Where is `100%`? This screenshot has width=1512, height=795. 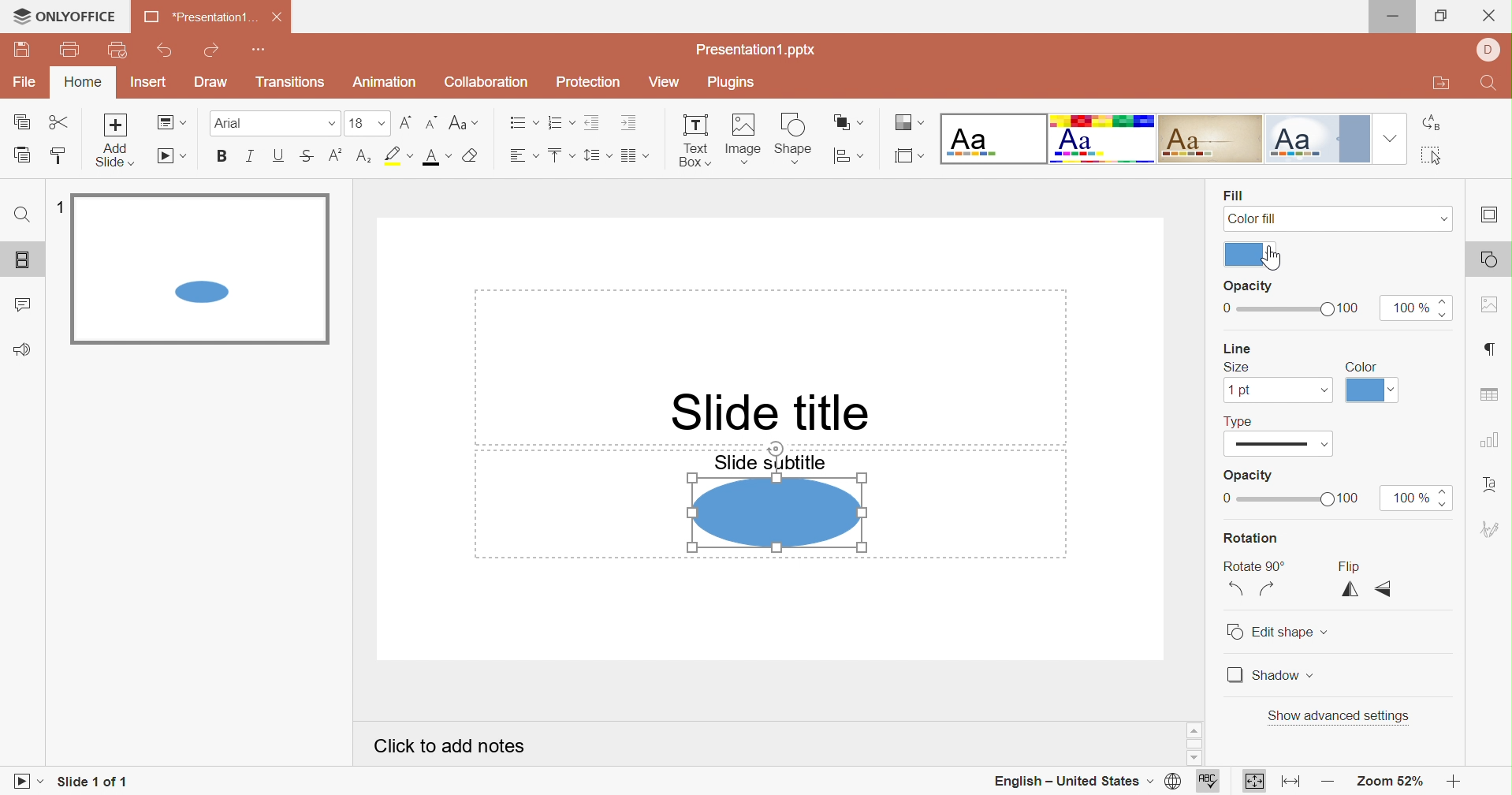 100% is located at coordinates (1420, 498).